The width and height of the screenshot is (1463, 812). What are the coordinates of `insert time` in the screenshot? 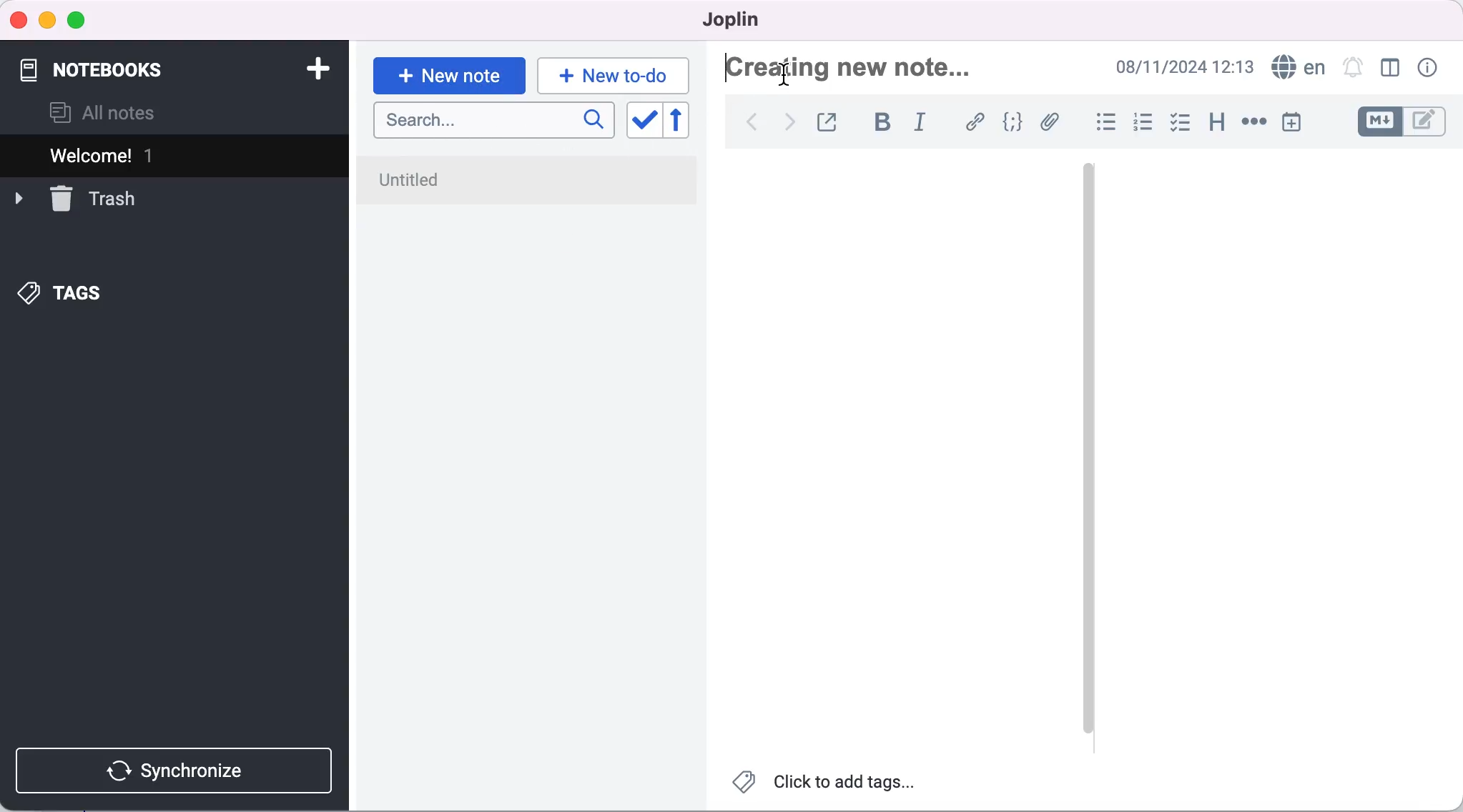 It's located at (1291, 122).